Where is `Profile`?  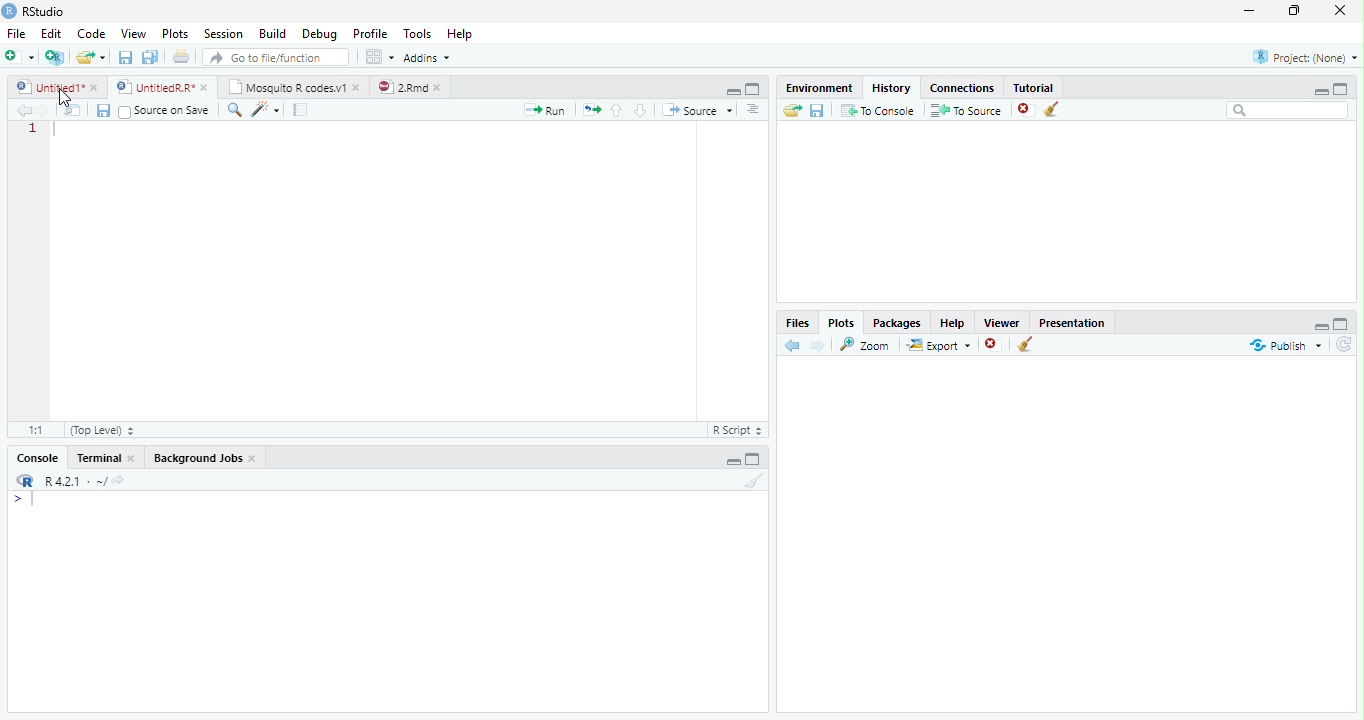
Profile is located at coordinates (369, 33).